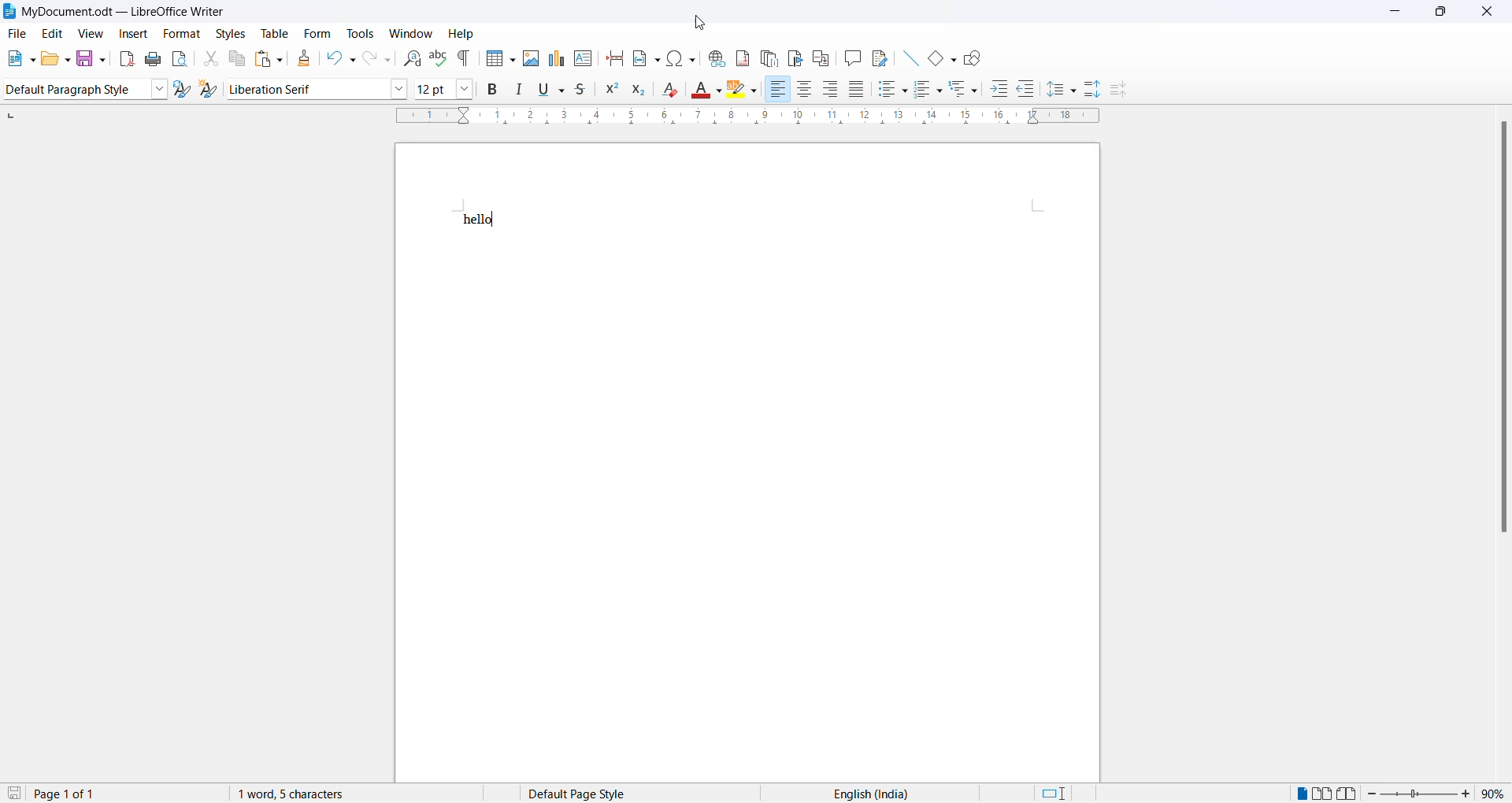 This screenshot has height=803, width=1512. Describe the element at coordinates (1502, 332) in the screenshot. I see `scrollbar` at that location.